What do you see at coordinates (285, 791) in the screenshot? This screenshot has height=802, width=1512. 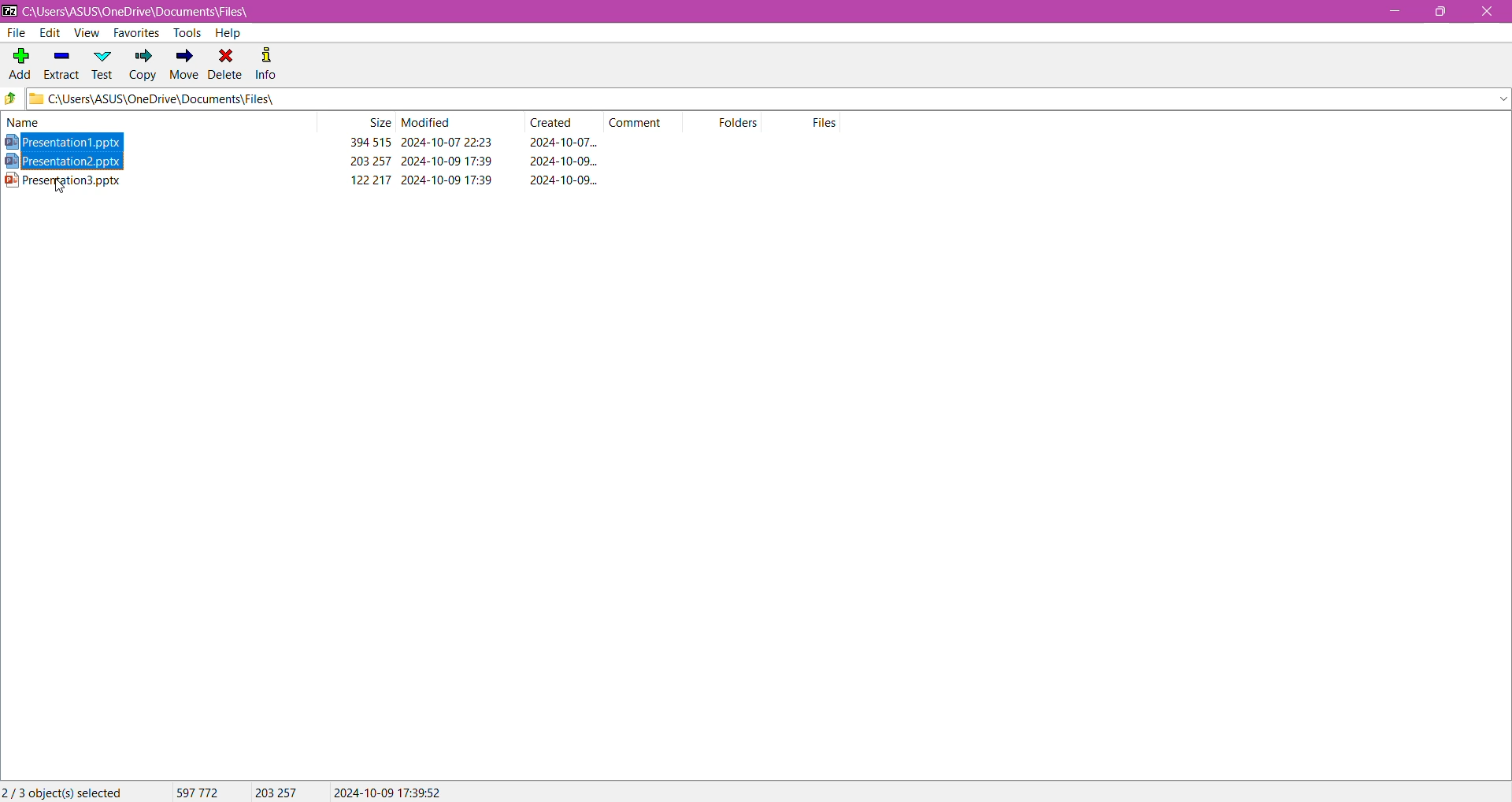 I see `203257` at bounding box center [285, 791].